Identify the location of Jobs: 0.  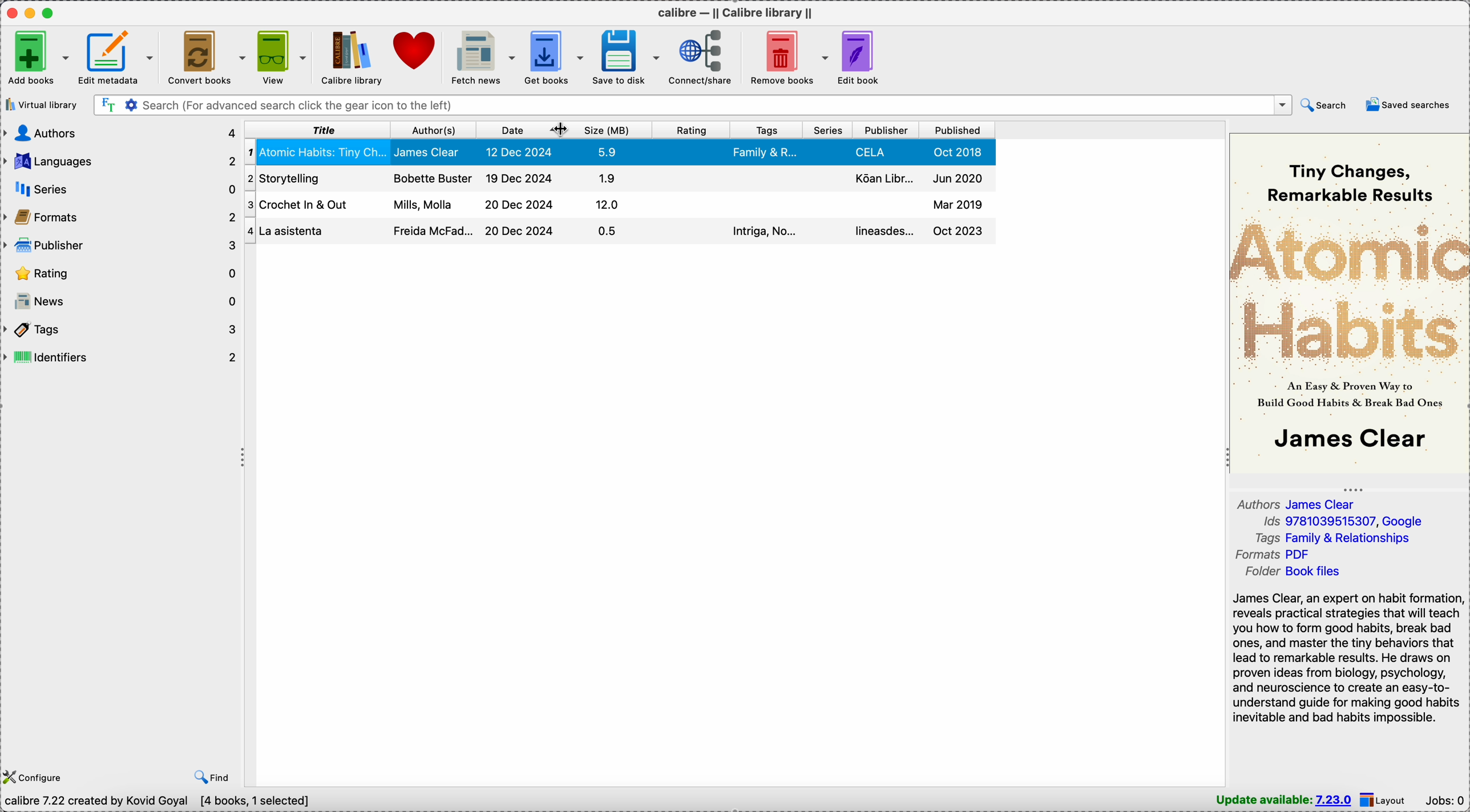
(1444, 800).